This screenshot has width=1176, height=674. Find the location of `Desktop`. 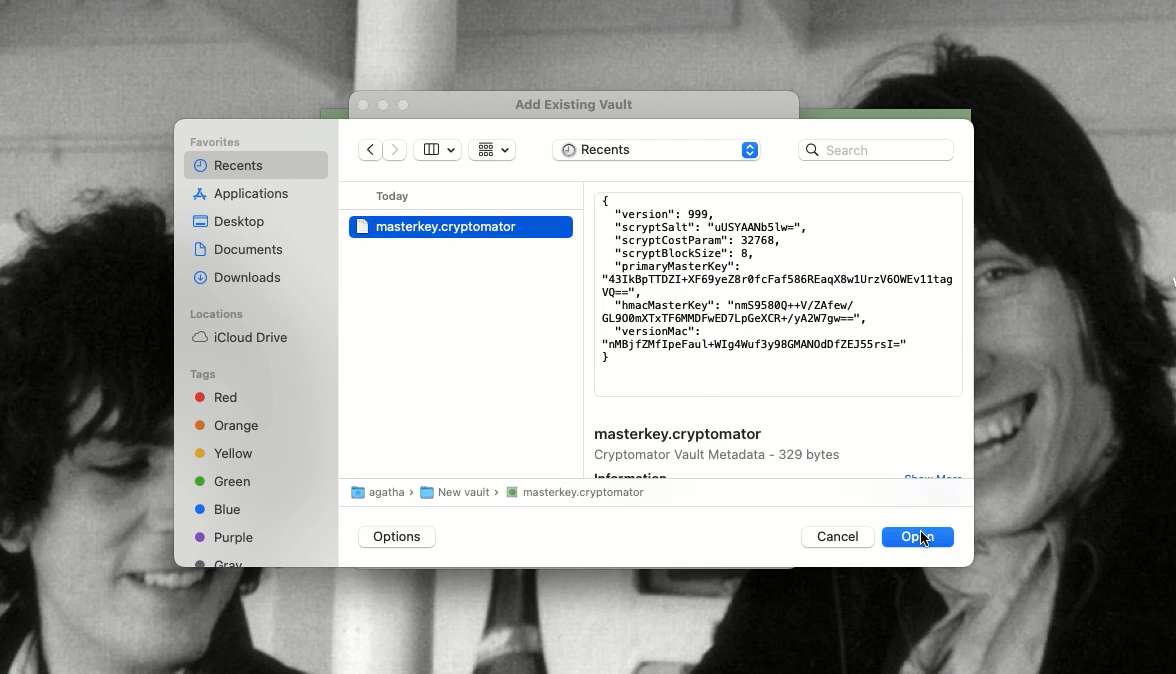

Desktop is located at coordinates (230, 223).